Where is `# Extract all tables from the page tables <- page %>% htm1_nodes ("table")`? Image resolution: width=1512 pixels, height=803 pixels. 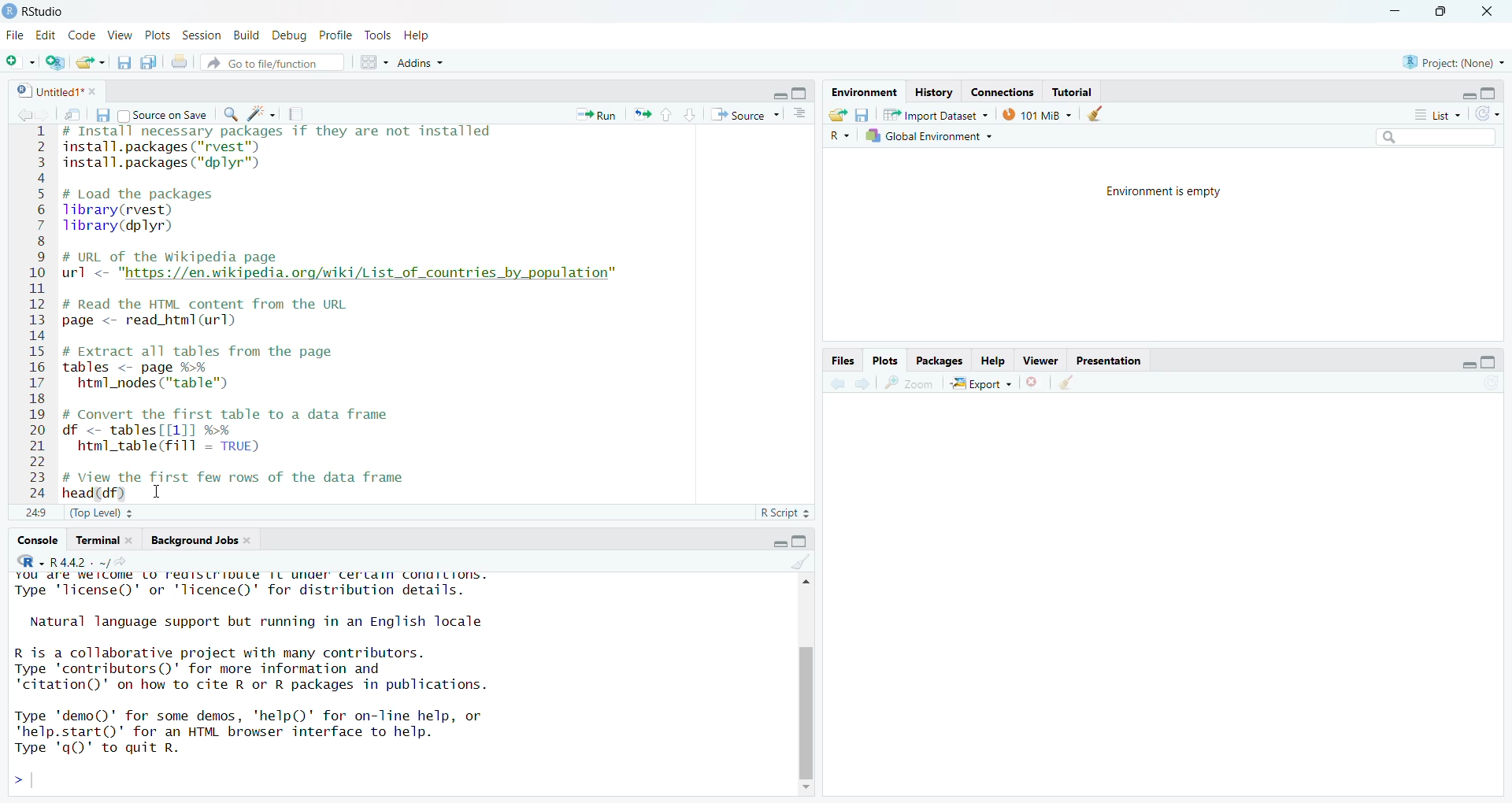
# Extract all tables from the page tables <- page %>% htm1_nodes ("table") is located at coordinates (212, 368).